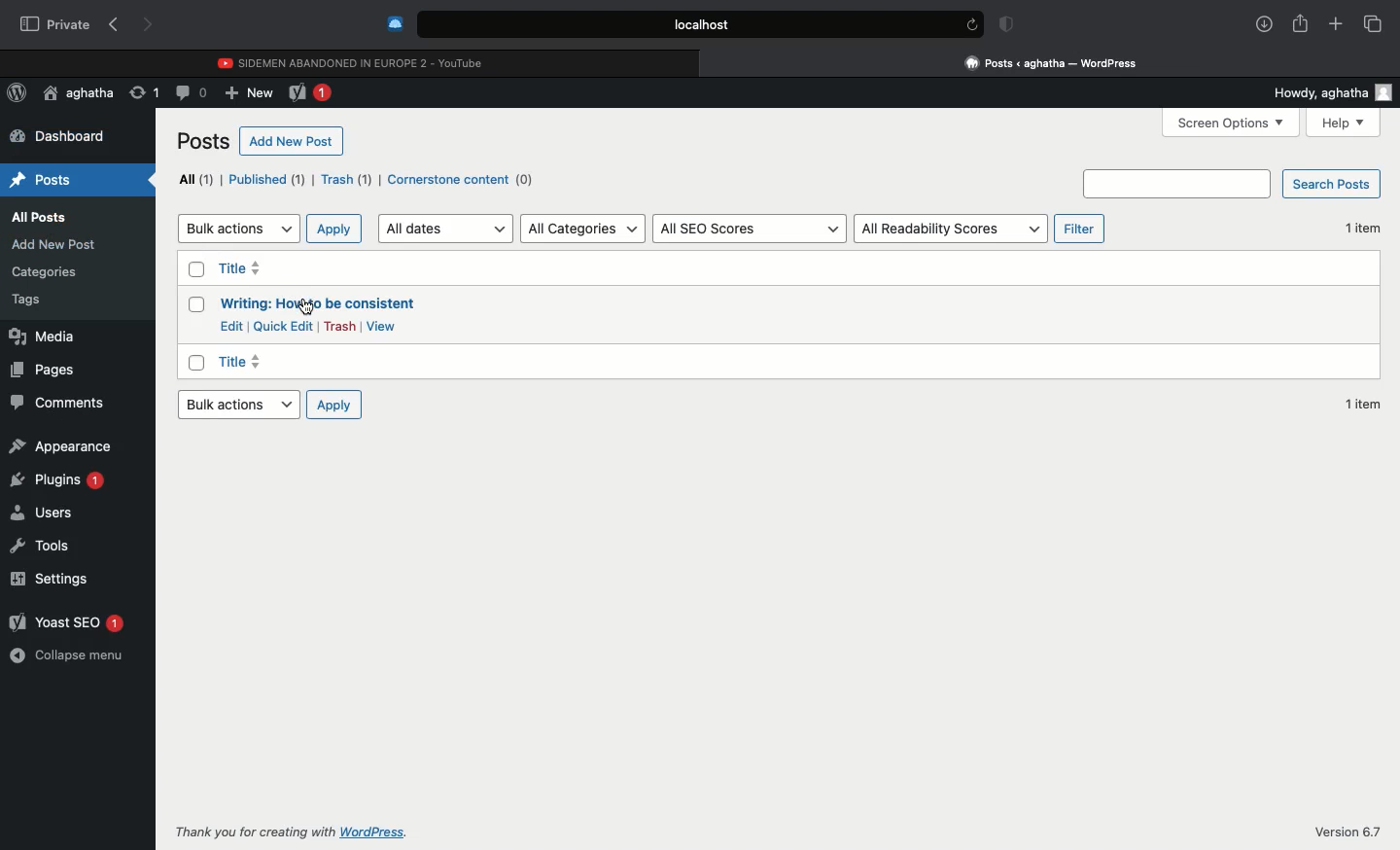 The image size is (1400, 850). What do you see at coordinates (113, 25) in the screenshot?
I see `Previous page` at bounding box center [113, 25].